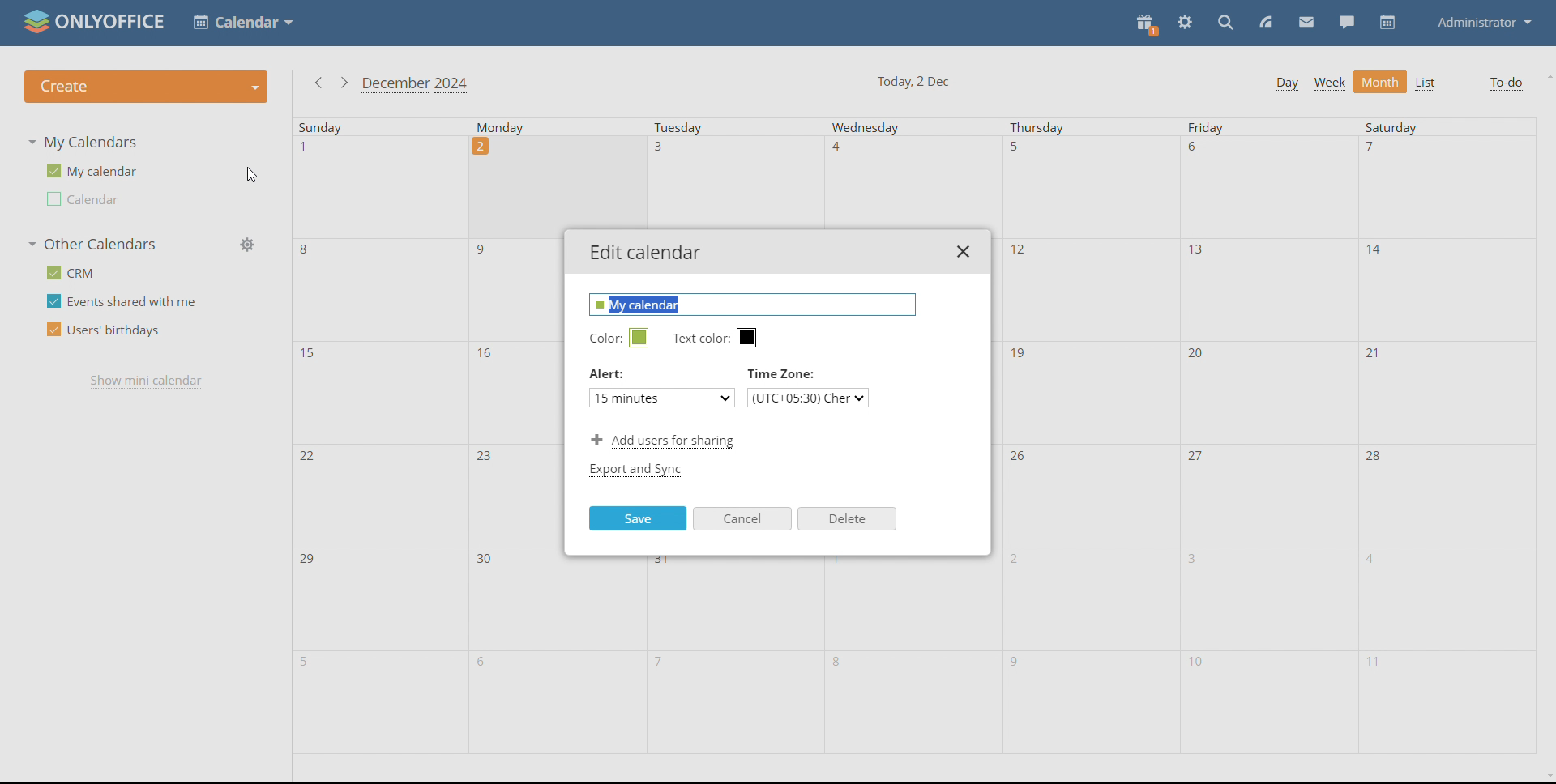  Describe the element at coordinates (1347, 23) in the screenshot. I see `chat` at that location.